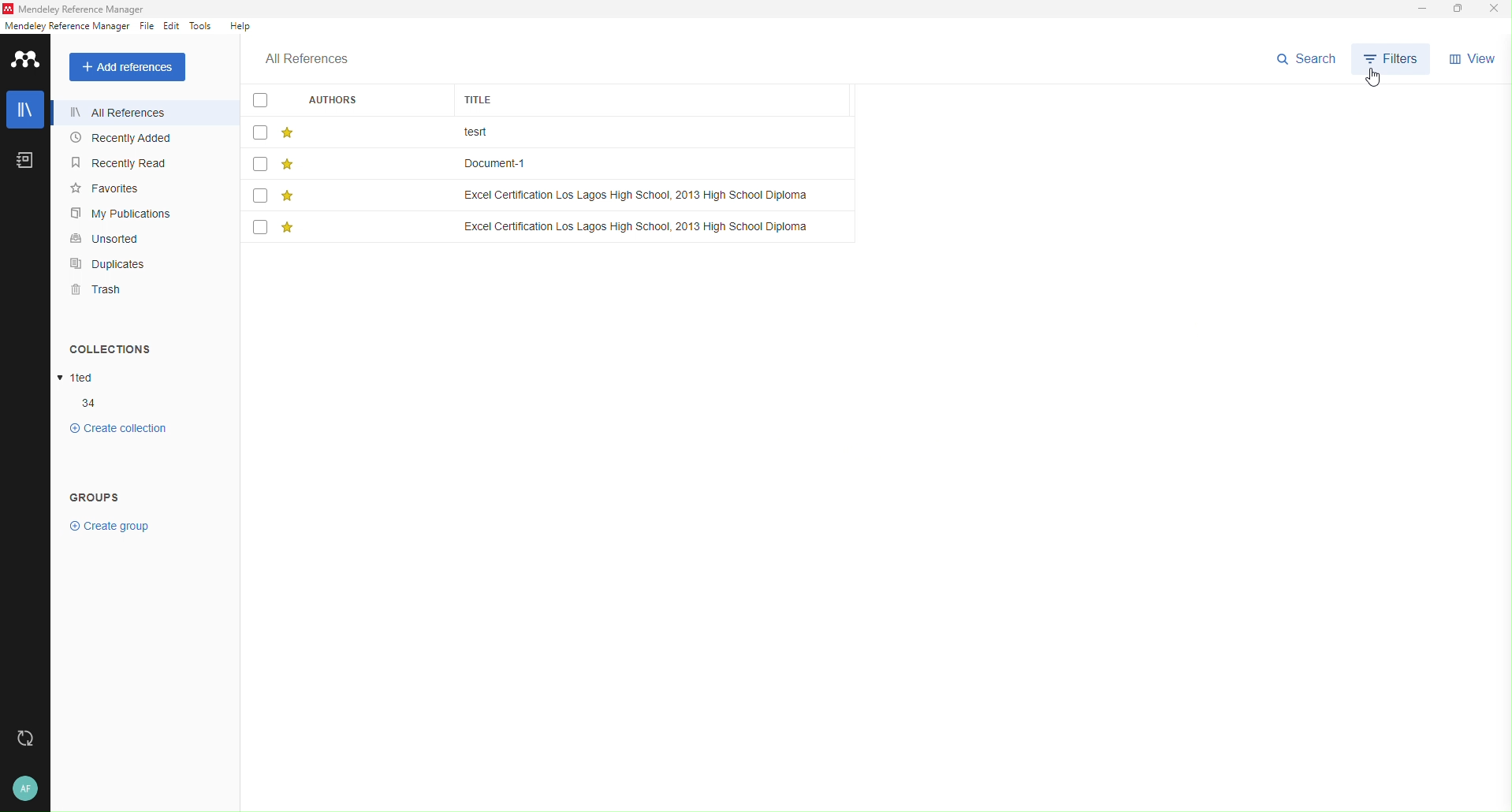 The width and height of the screenshot is (1512, 812). What do you see at coordinates (131, 67) in the screenshot?
I see `Add reference` at bounding box center [131, 67].